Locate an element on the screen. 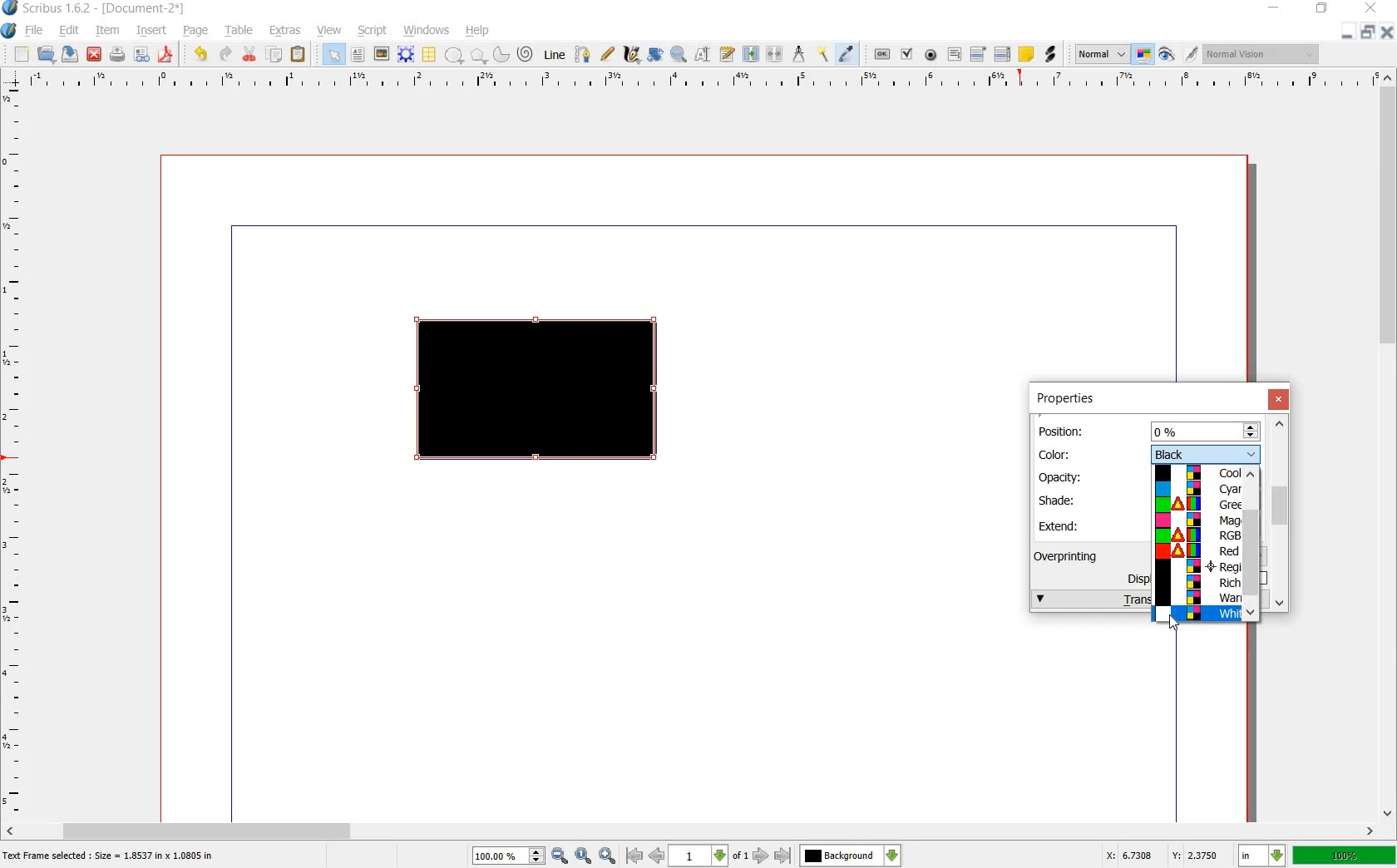 The height and width of the screenshot is (868, 1397). link text frame is located at coordinates (750, 55).